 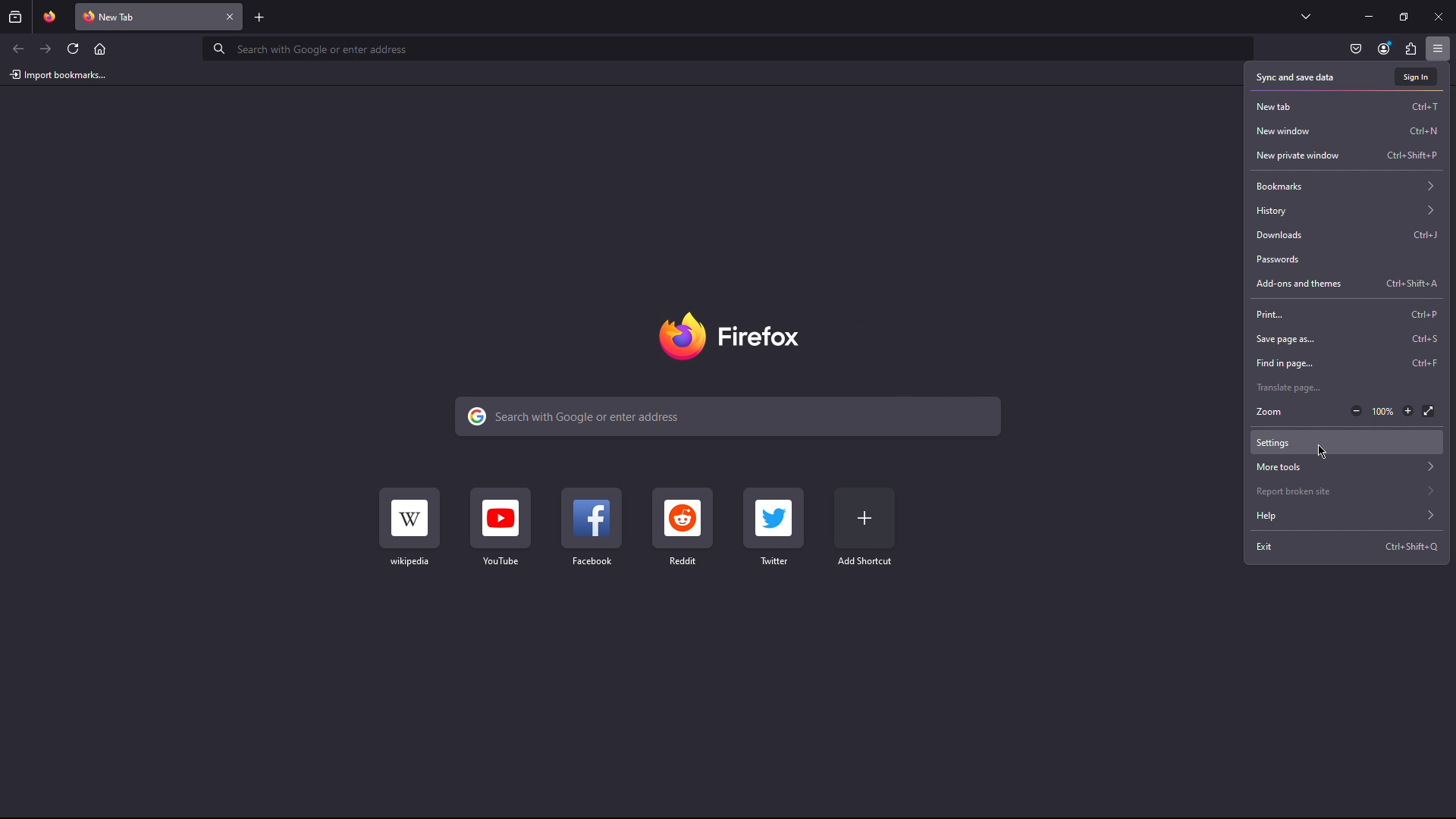 I want to click on Zoom in, so click(x=1407, y=411).